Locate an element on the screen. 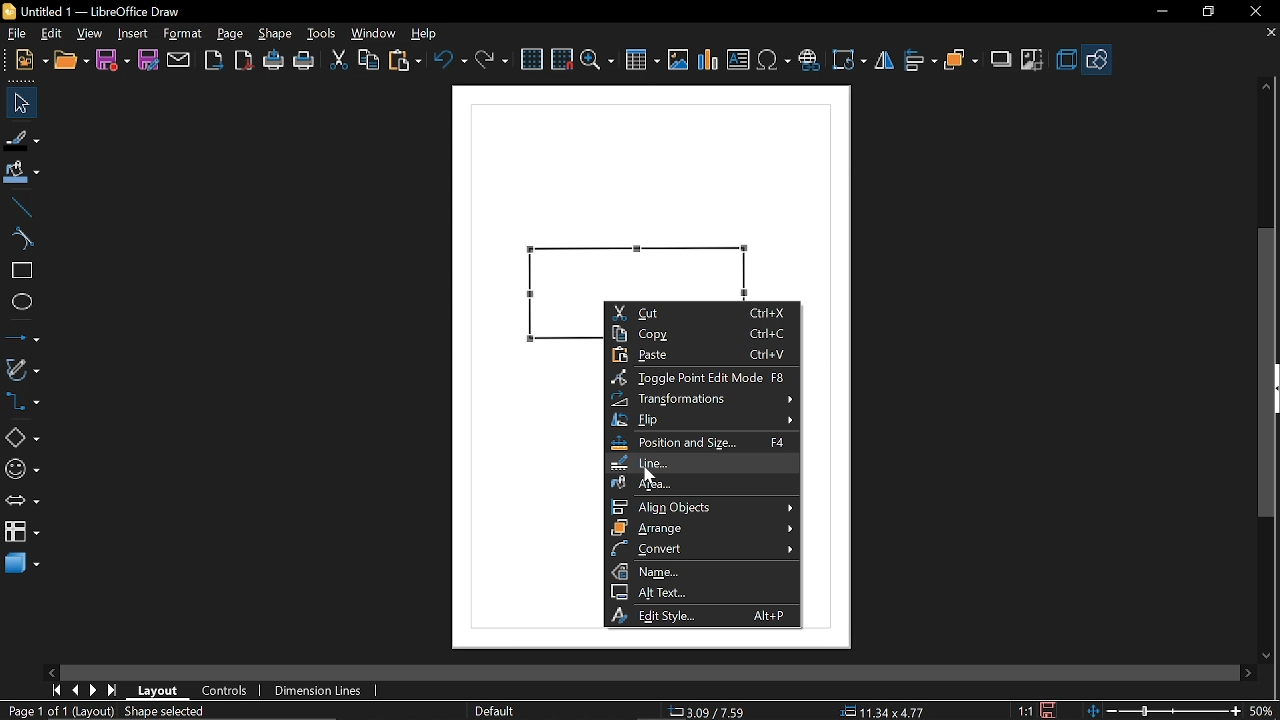  Grid is located at coordinates (533, 59).